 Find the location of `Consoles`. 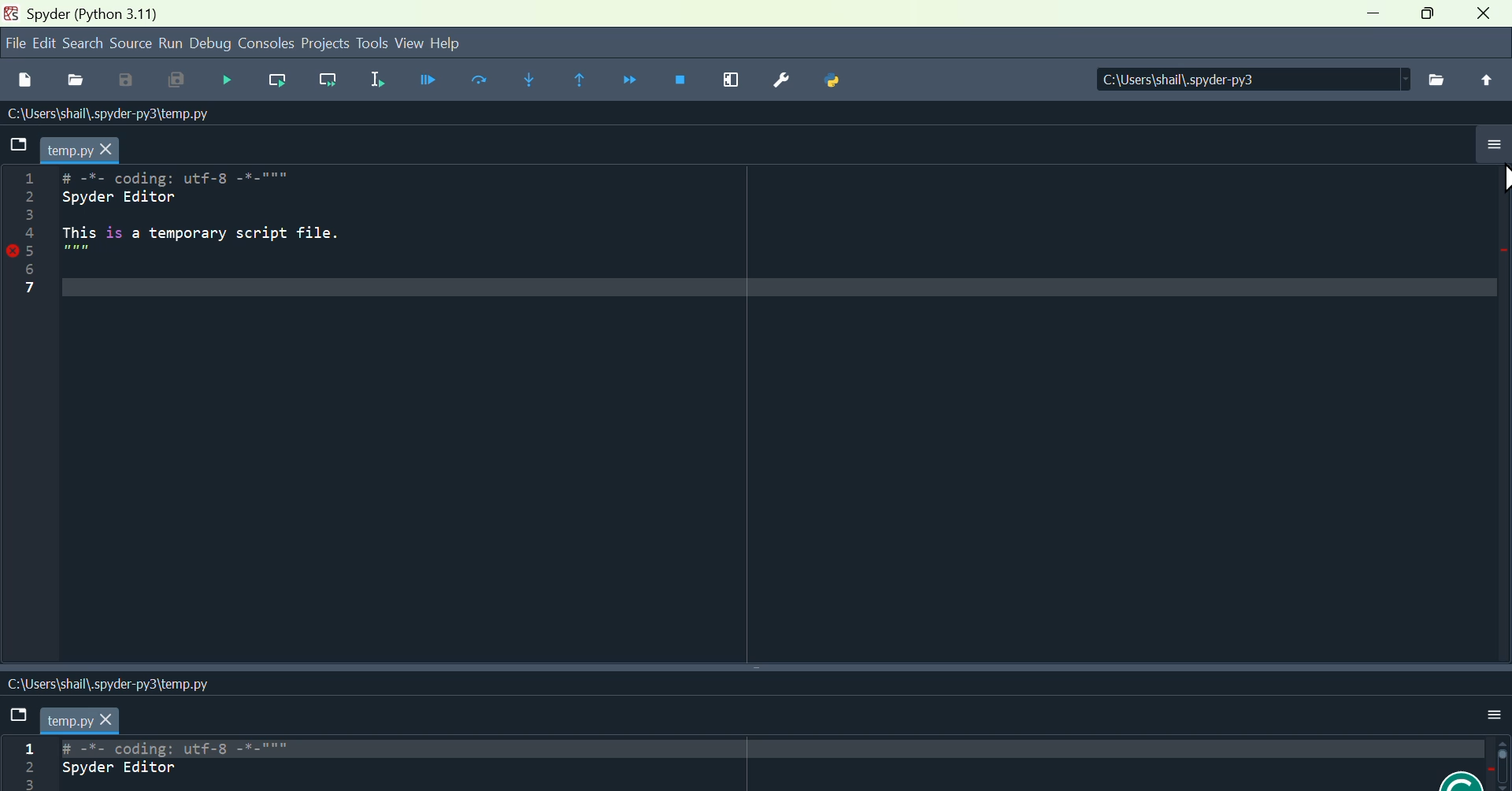

Consoles is located at coordinates (269, 47).